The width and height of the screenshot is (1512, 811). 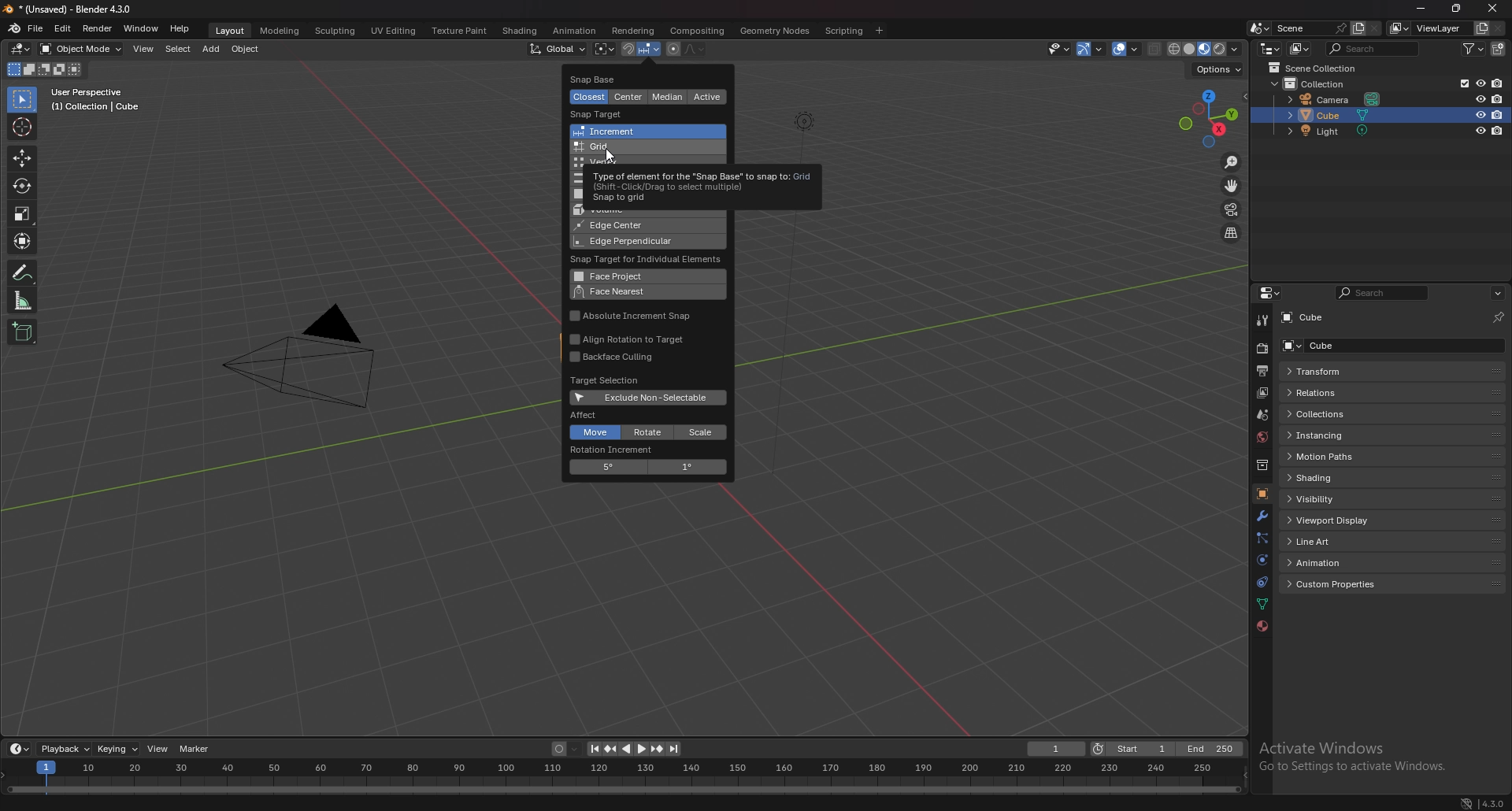 I want to click on search, so click(x=1384, y=293).